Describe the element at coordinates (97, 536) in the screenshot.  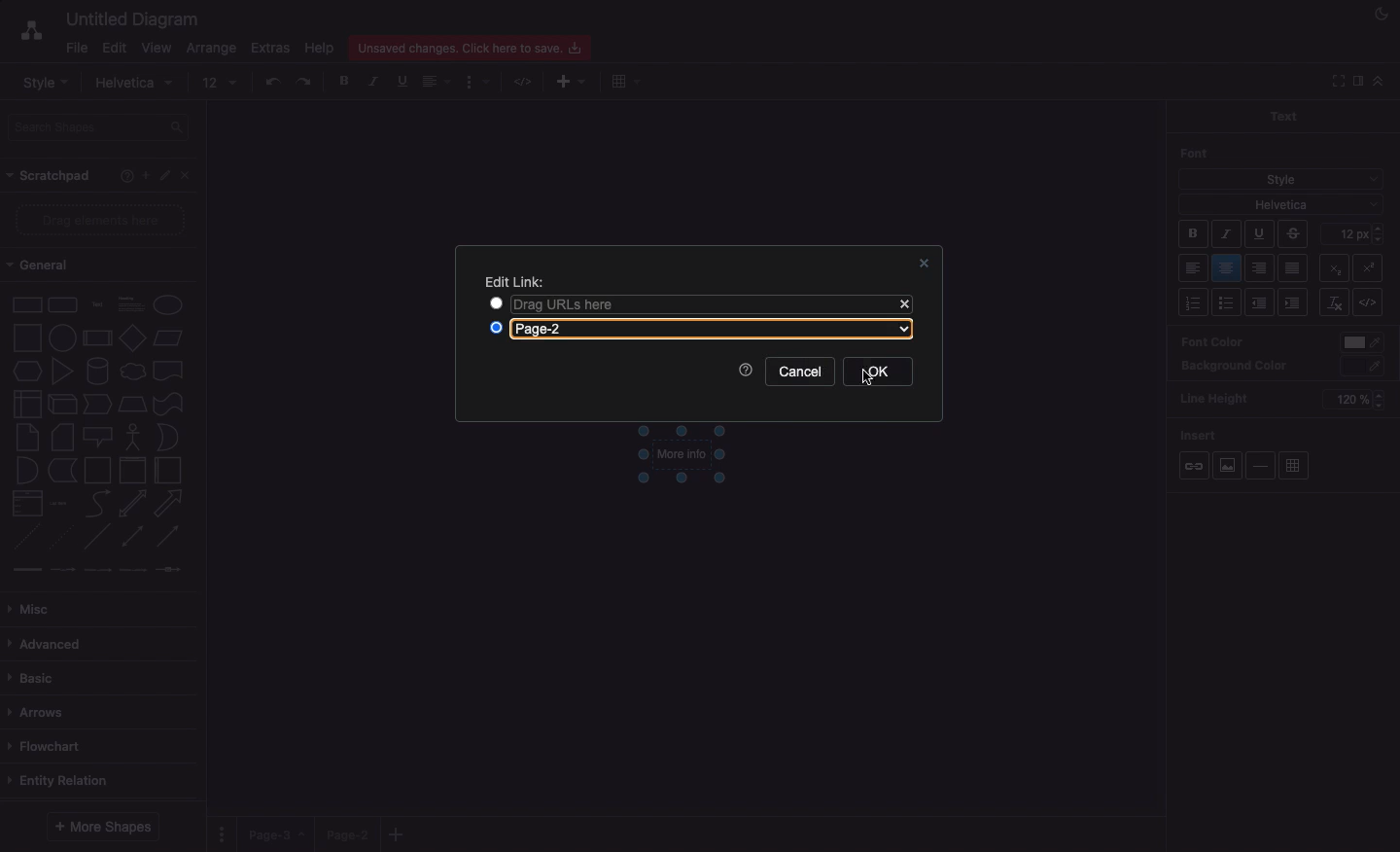
I see `Line` at that location.